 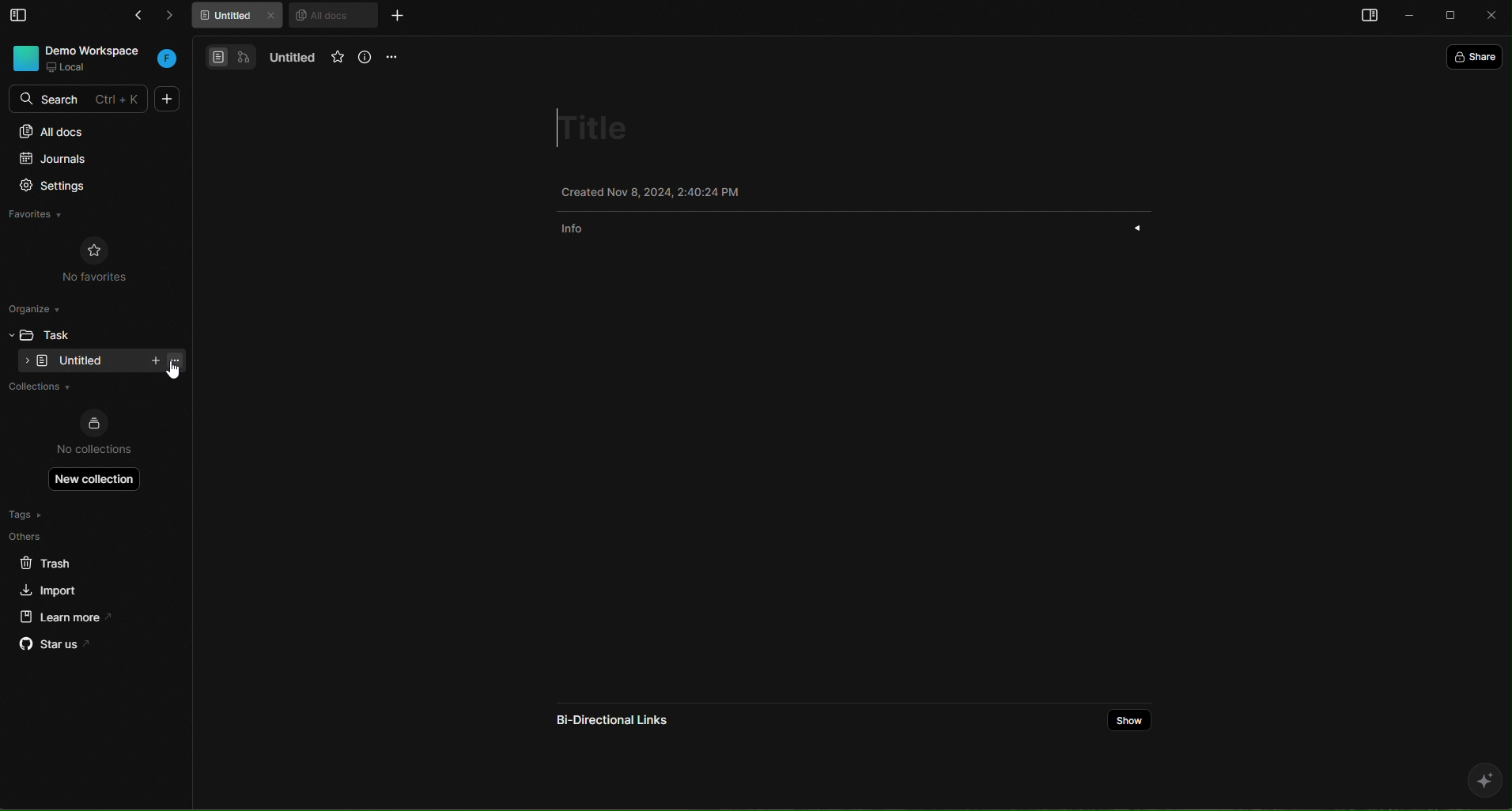 What do you see at coordinates (94, 434) in the screenshot?
I see `no collections` at bounding box center [94, 434].